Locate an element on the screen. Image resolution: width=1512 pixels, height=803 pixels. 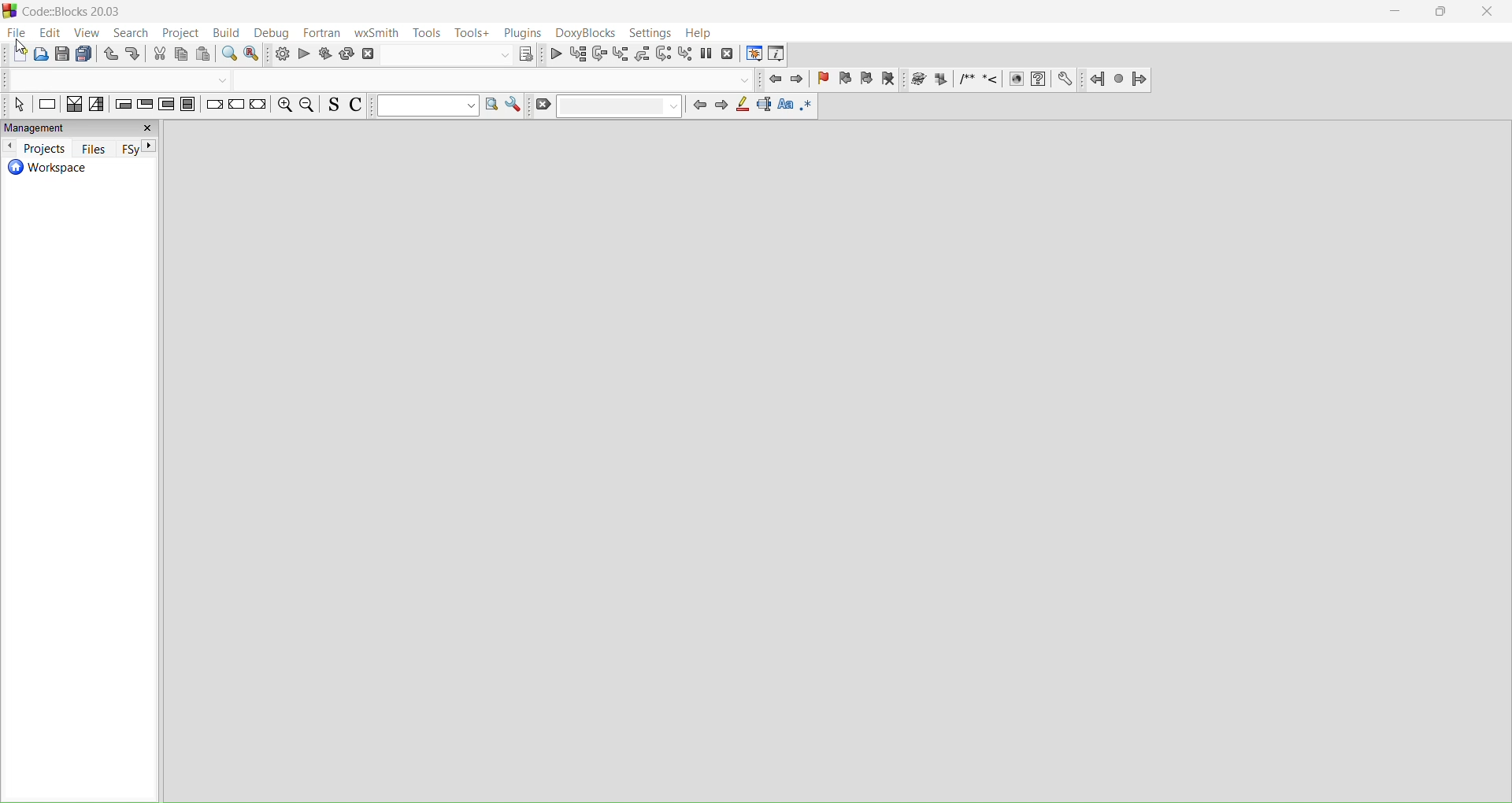
edit is located at coordinates (49, 33).